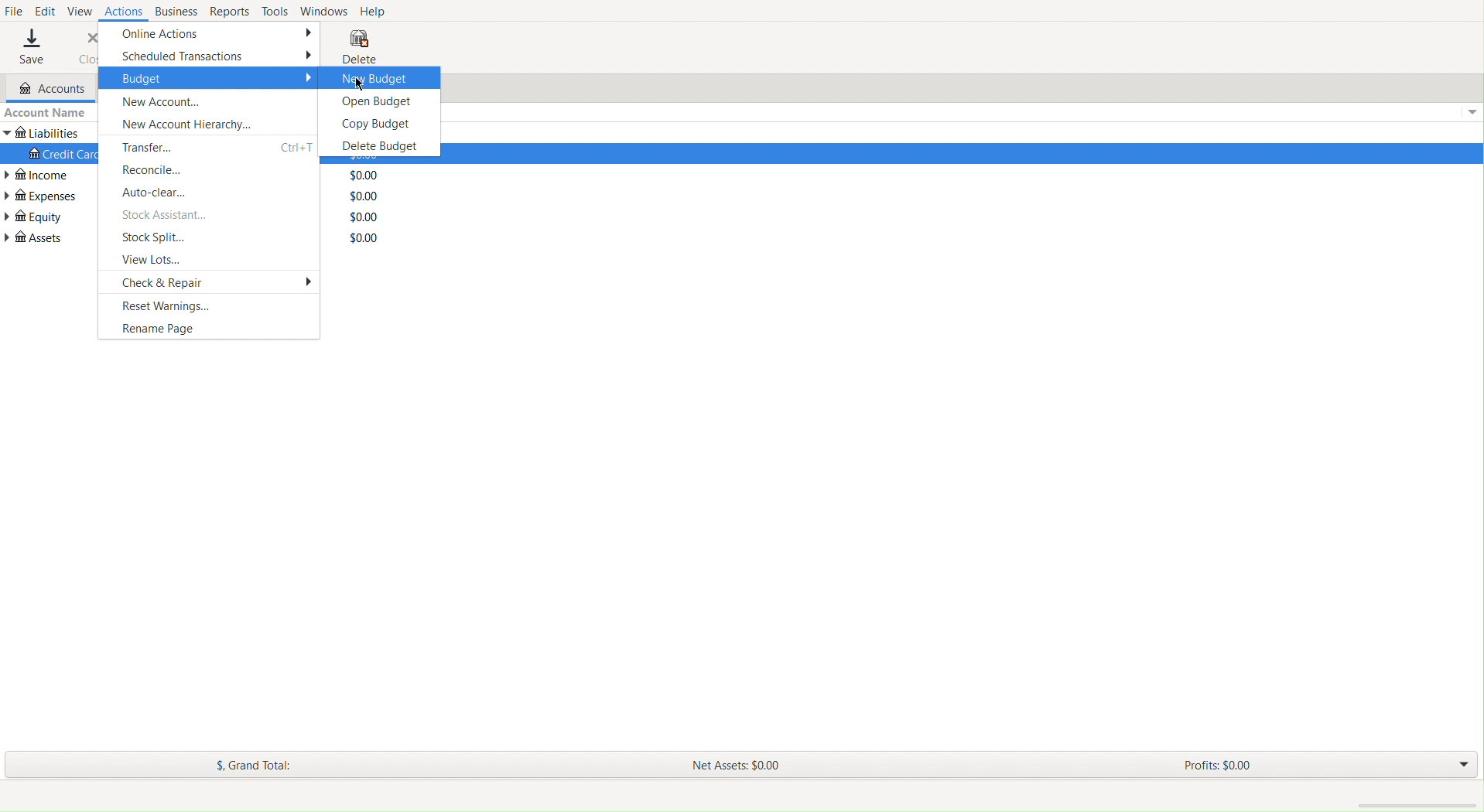 This screenshot has width=1484, height=812. I want to click on Income, so click(45, 175).